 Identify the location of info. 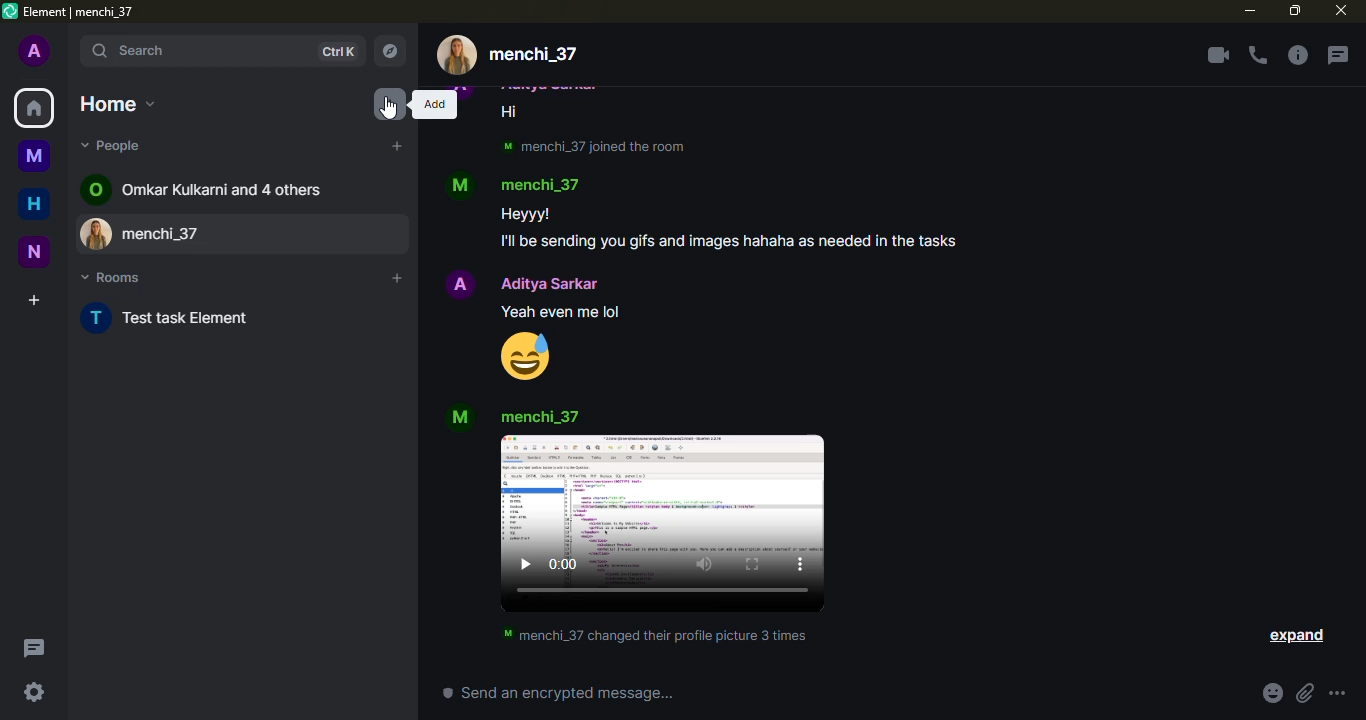
(1297, 55).